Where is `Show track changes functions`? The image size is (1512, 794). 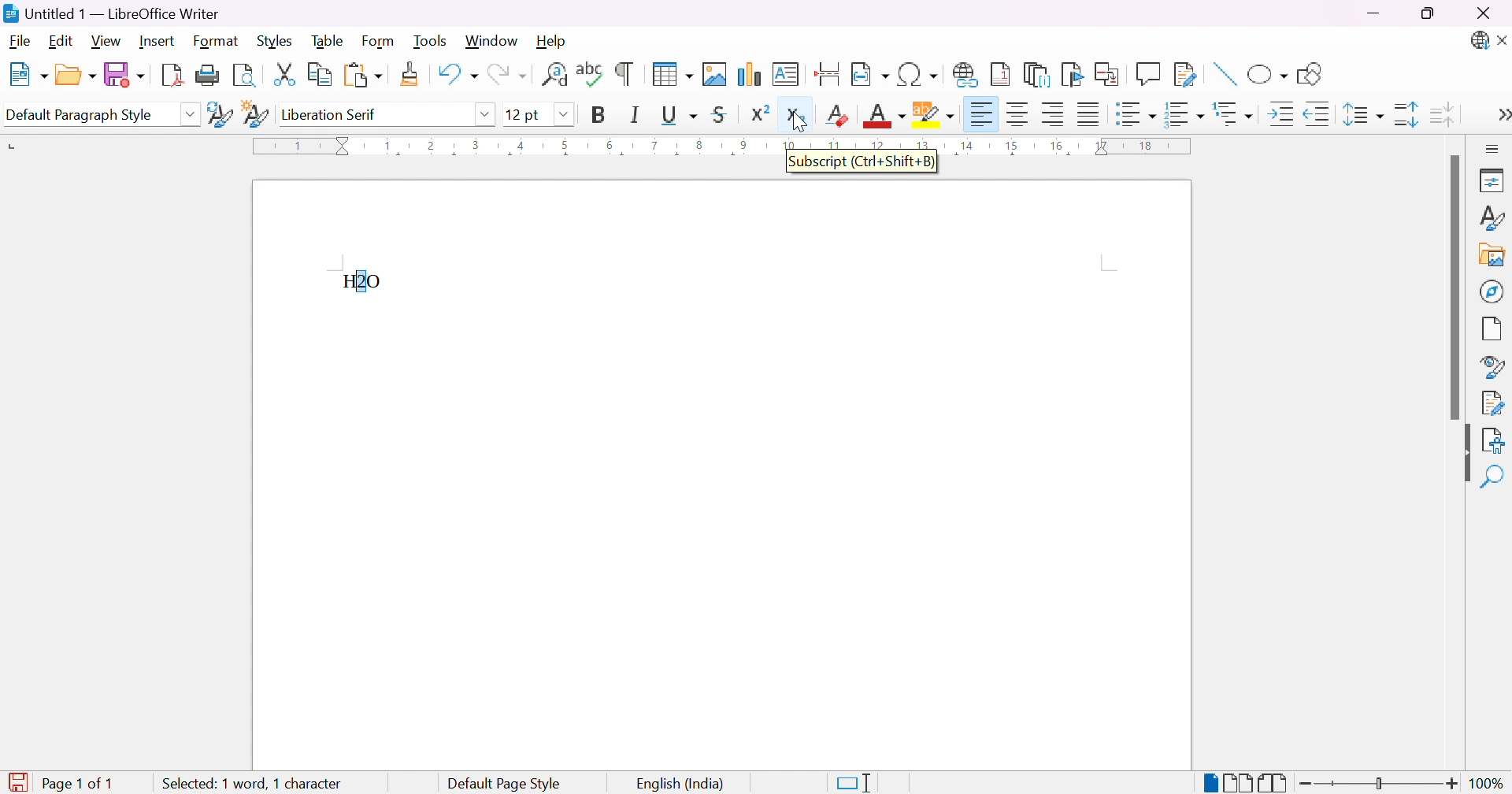
Show track changes functions is located at coordinates (1185, 75).